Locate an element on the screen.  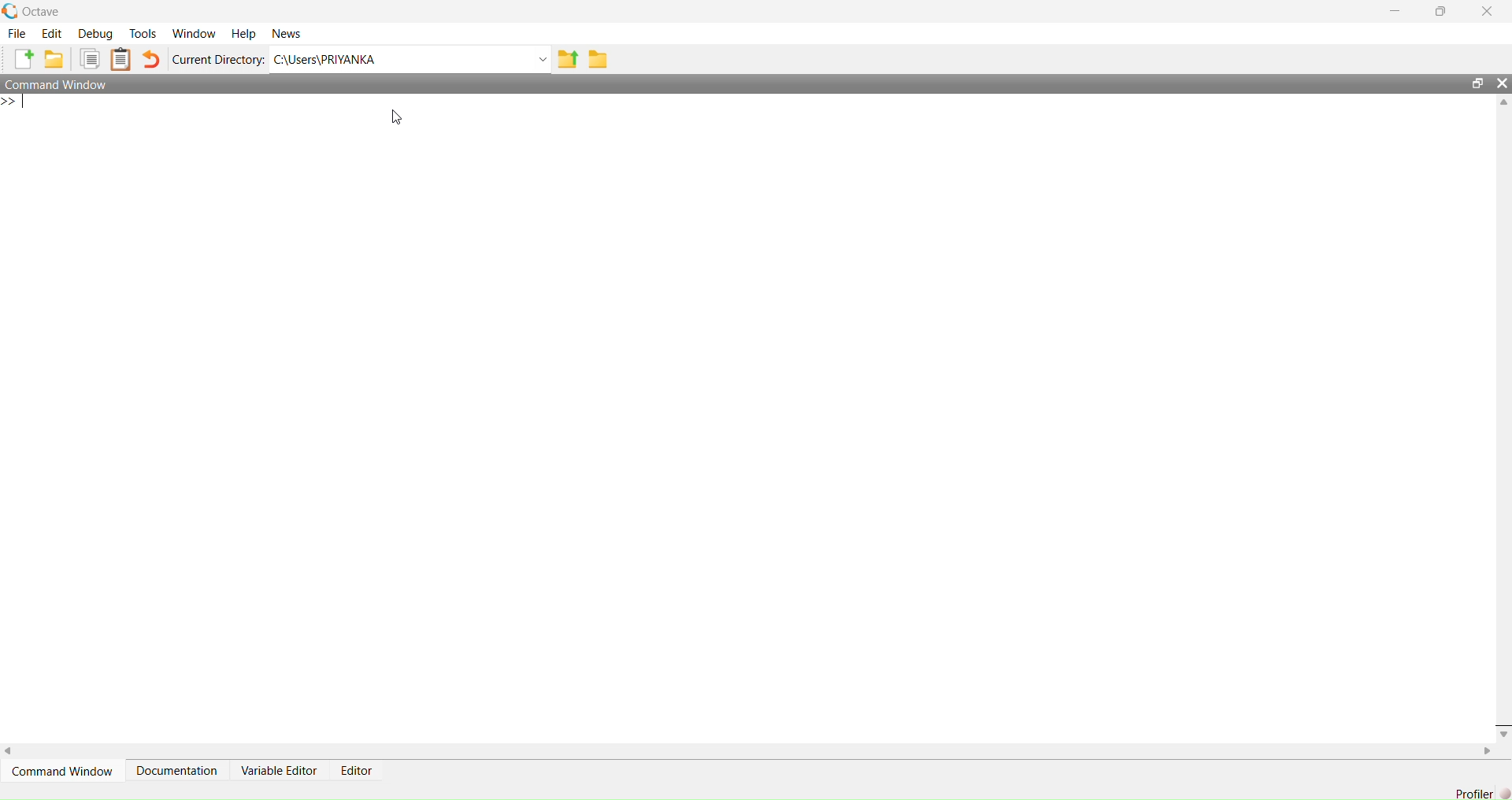
Current Directory: is located at coordinates (218, 61).